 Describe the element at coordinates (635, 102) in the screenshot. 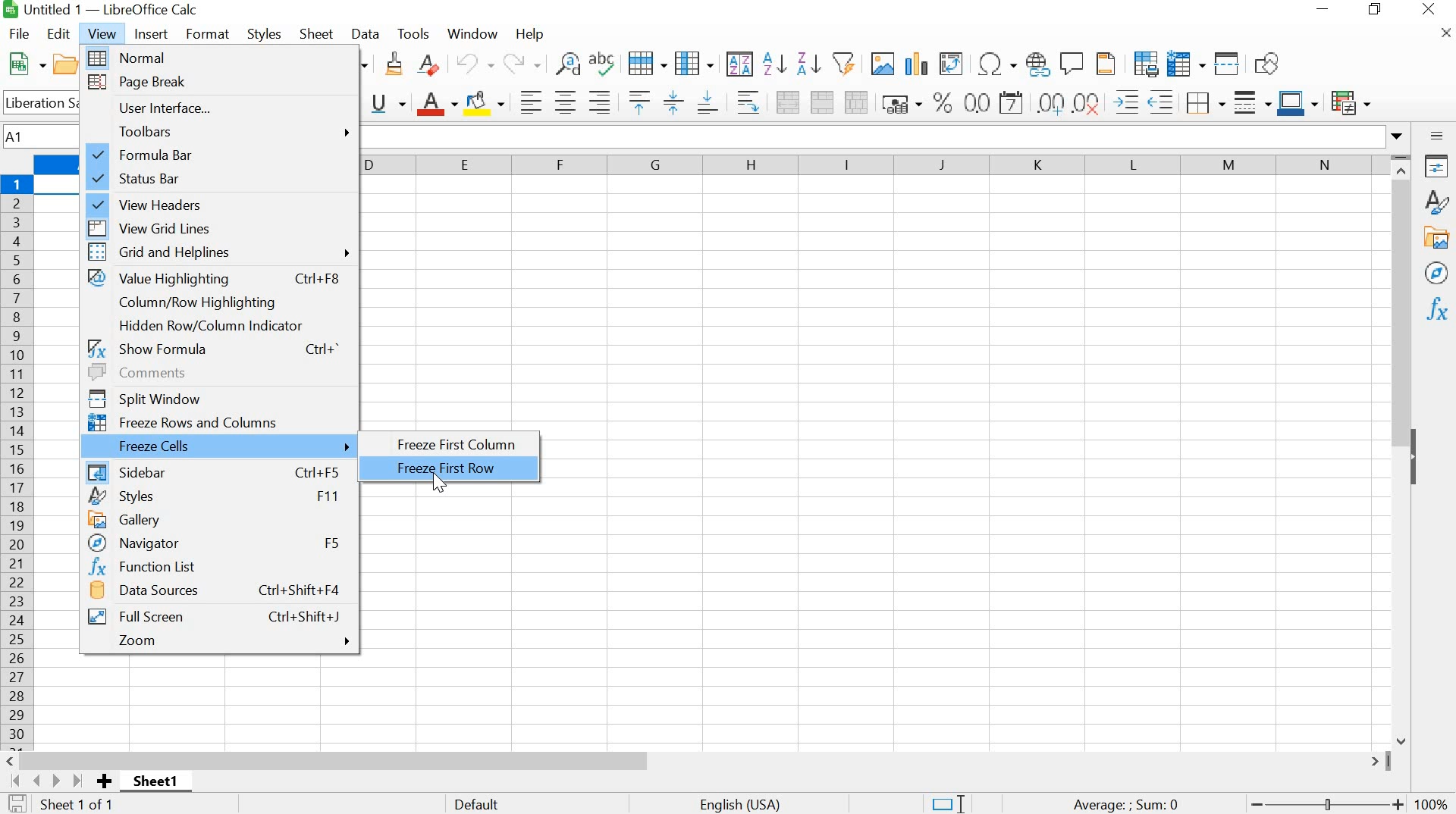

I see `ALIGN TOP` at that location.